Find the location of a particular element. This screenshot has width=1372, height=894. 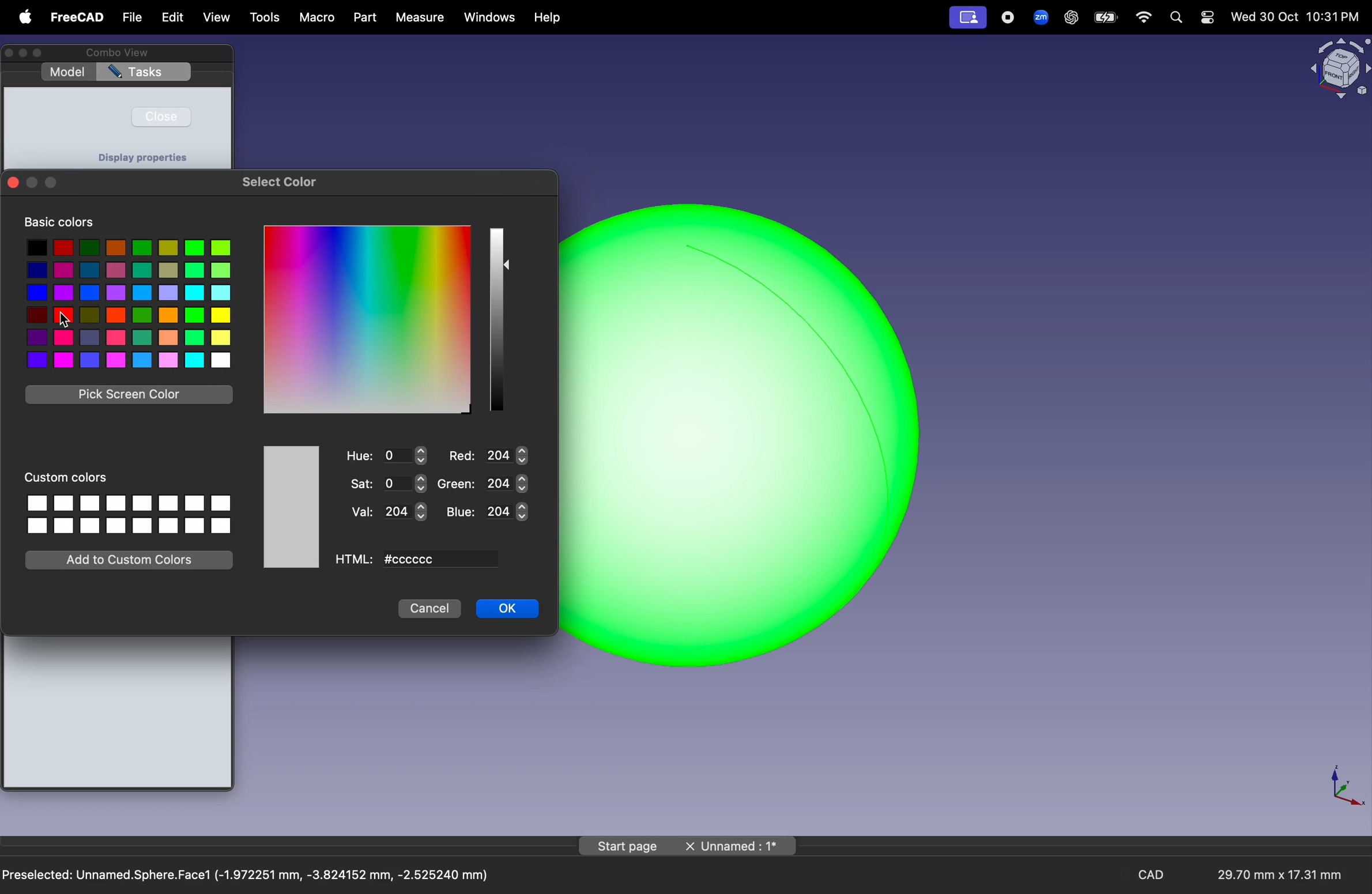

tasks is located at coordinates (144, 73).